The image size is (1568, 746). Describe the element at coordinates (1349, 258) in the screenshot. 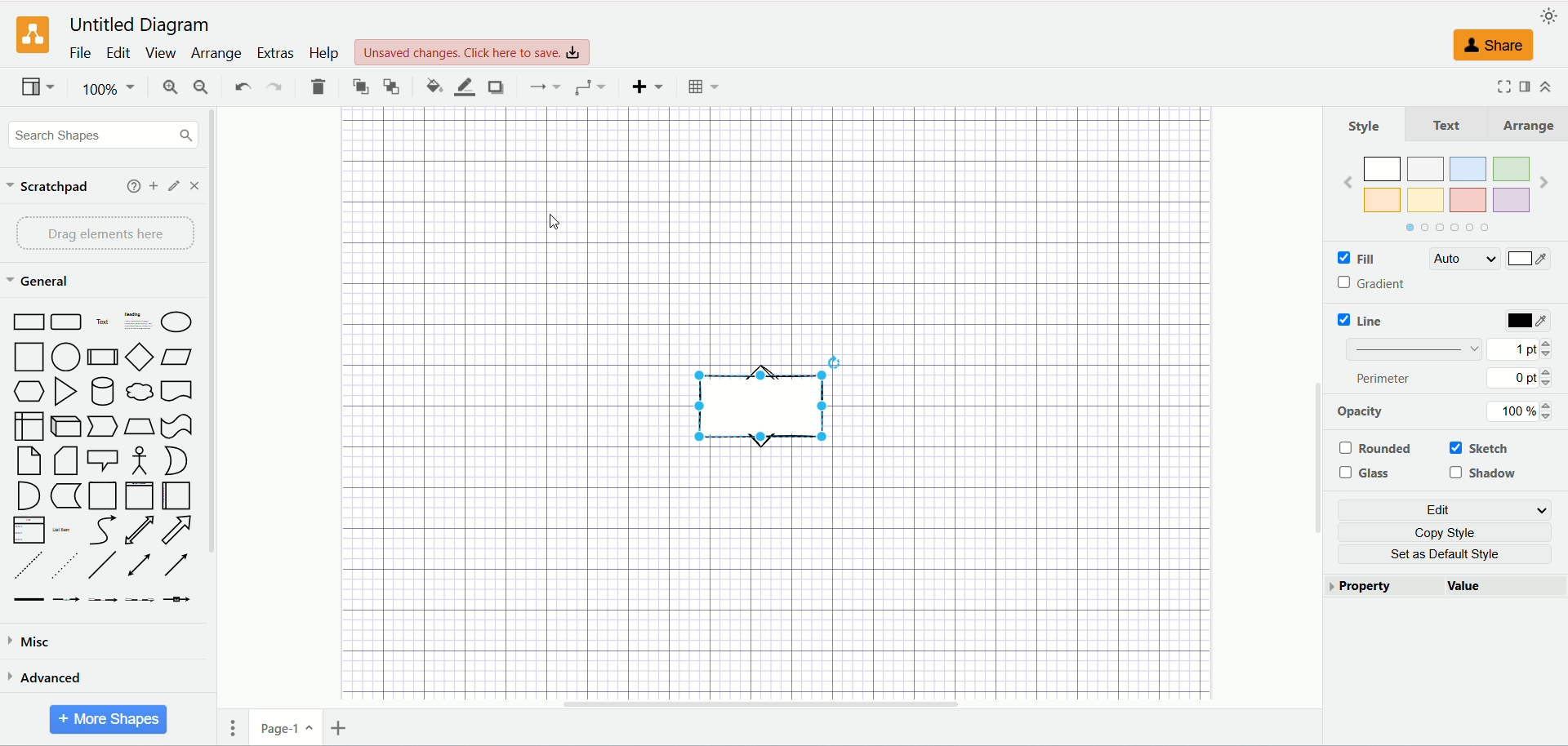

I see `fill` at that location.